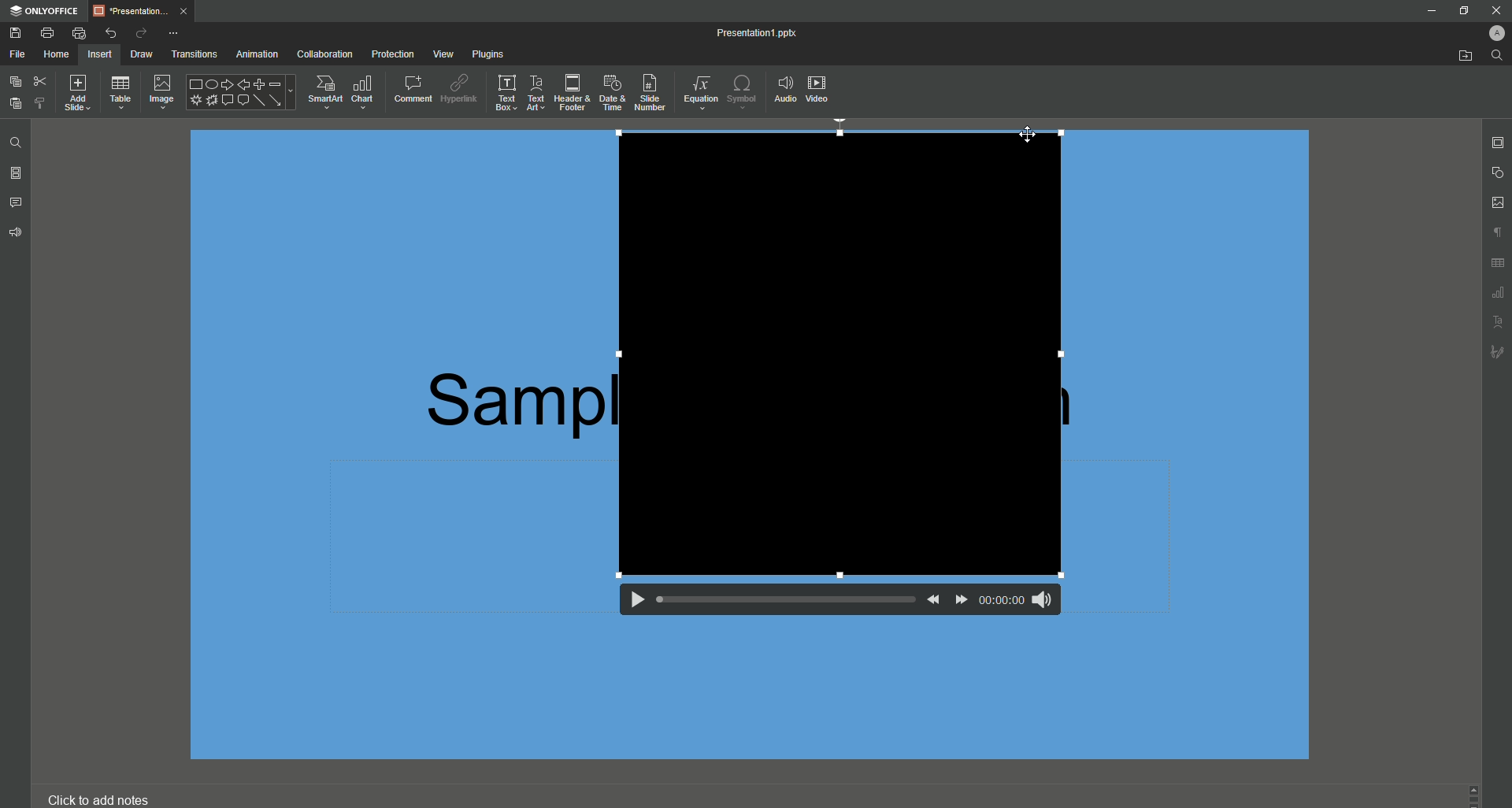  What do you see at coordinates (42, 102) in the screenshot?
I see `Choose Styling` at bounding box center [42, 102].